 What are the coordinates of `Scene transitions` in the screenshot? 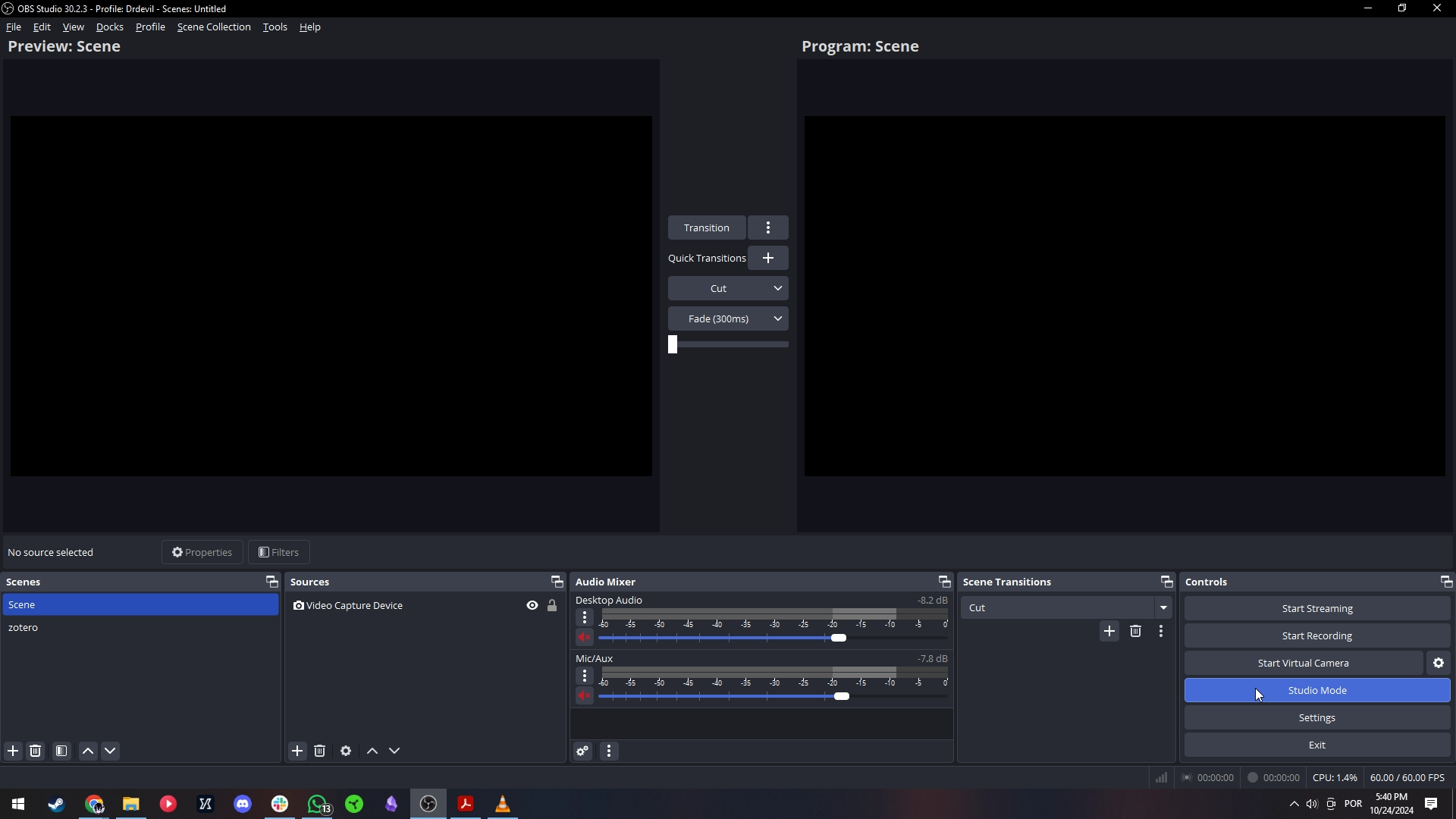 It's located at (1056, 582).